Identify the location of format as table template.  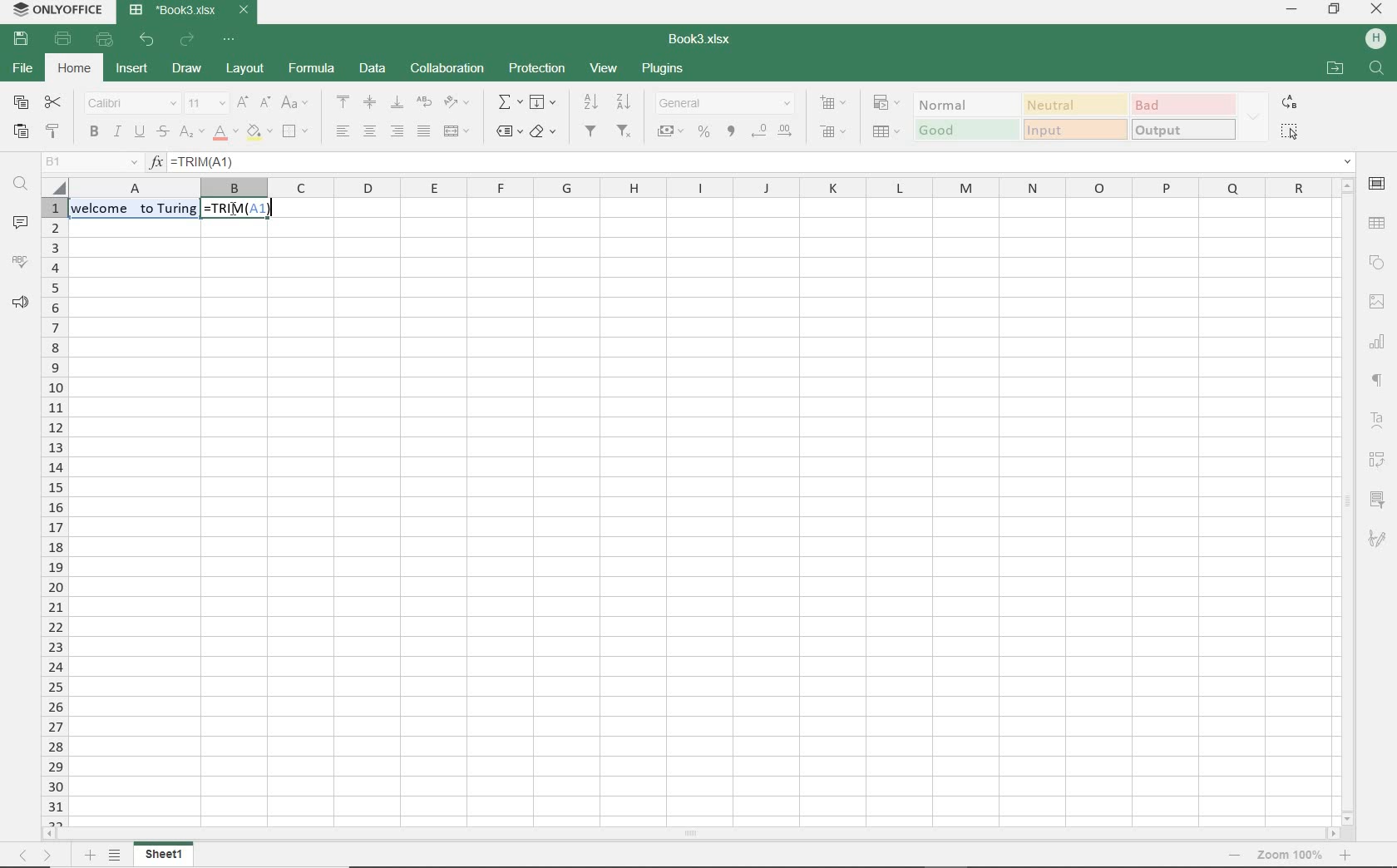
(886, 132).